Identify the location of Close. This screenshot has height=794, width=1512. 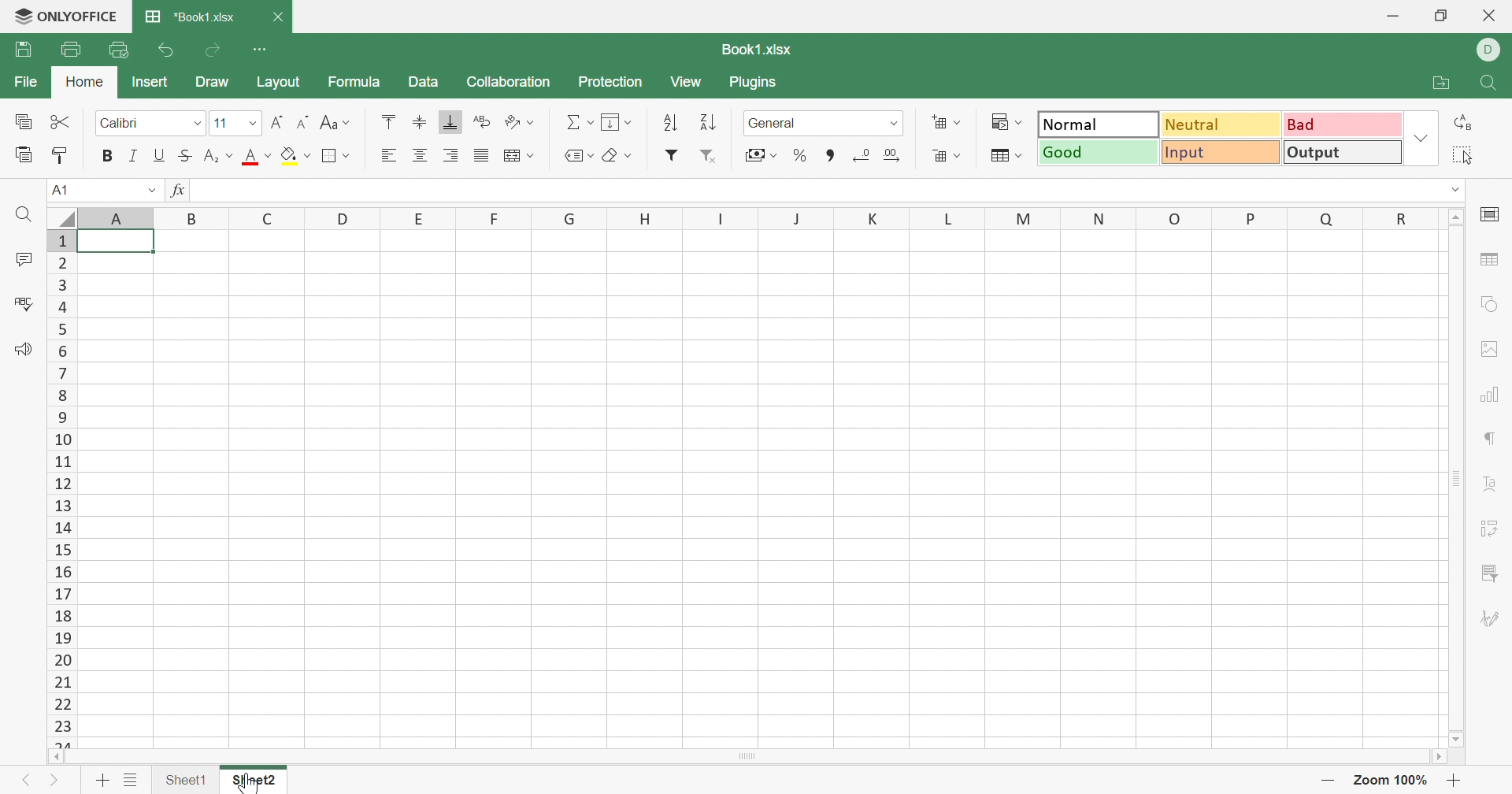
(277, 17).